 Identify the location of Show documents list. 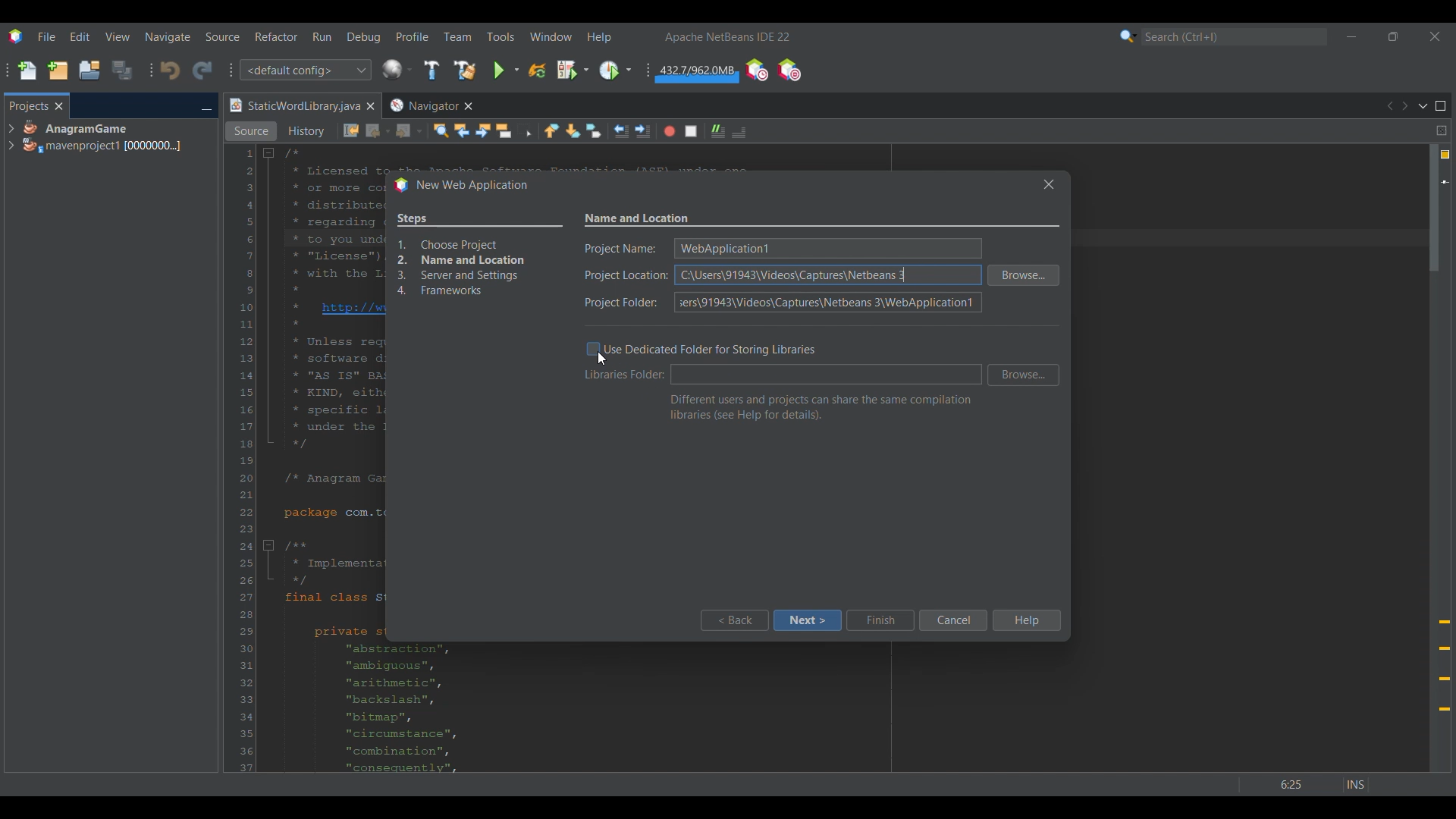
(1423, 105).